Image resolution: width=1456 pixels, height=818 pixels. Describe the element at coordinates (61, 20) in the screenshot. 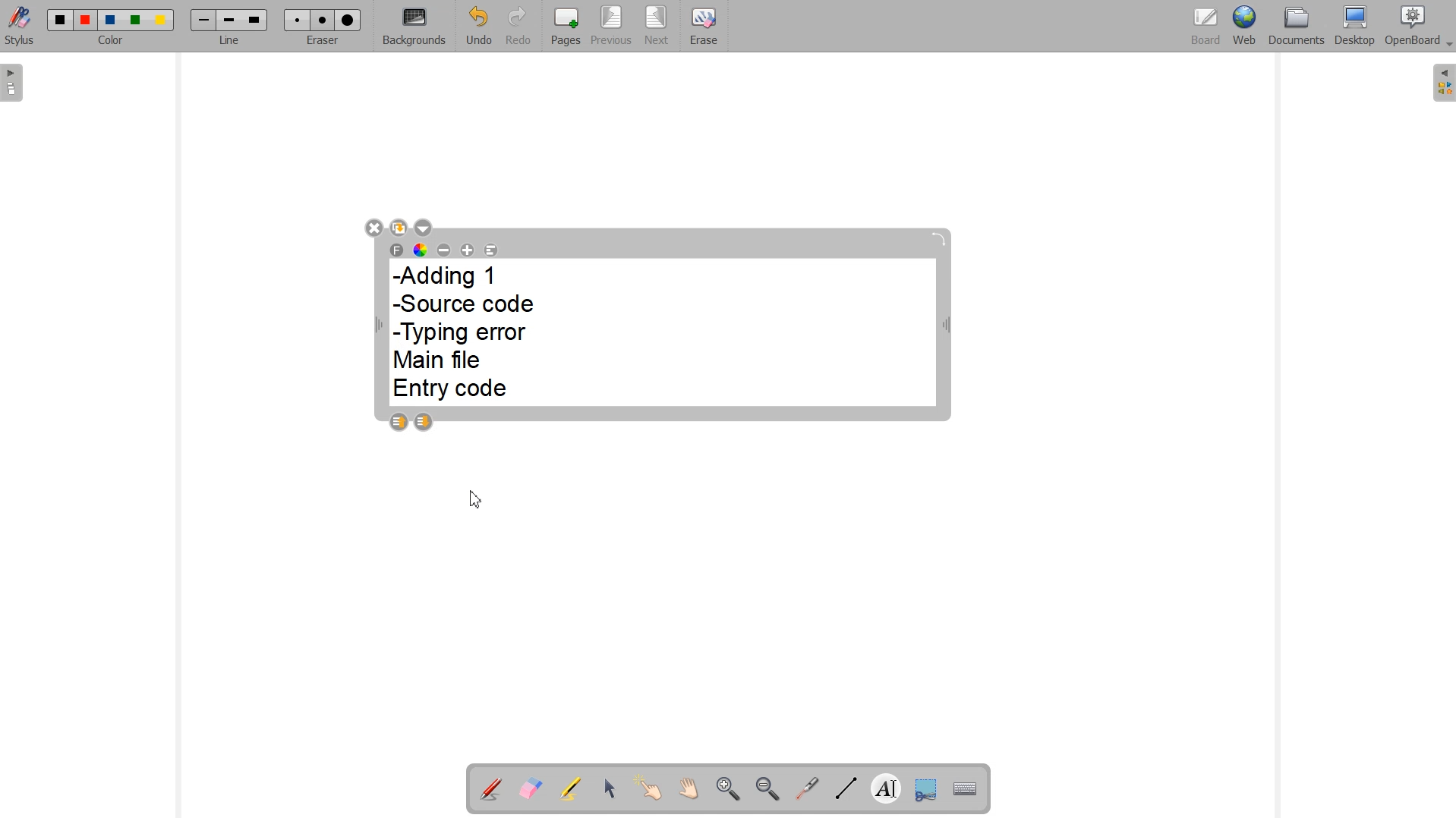

I see `Color 1` at that location.